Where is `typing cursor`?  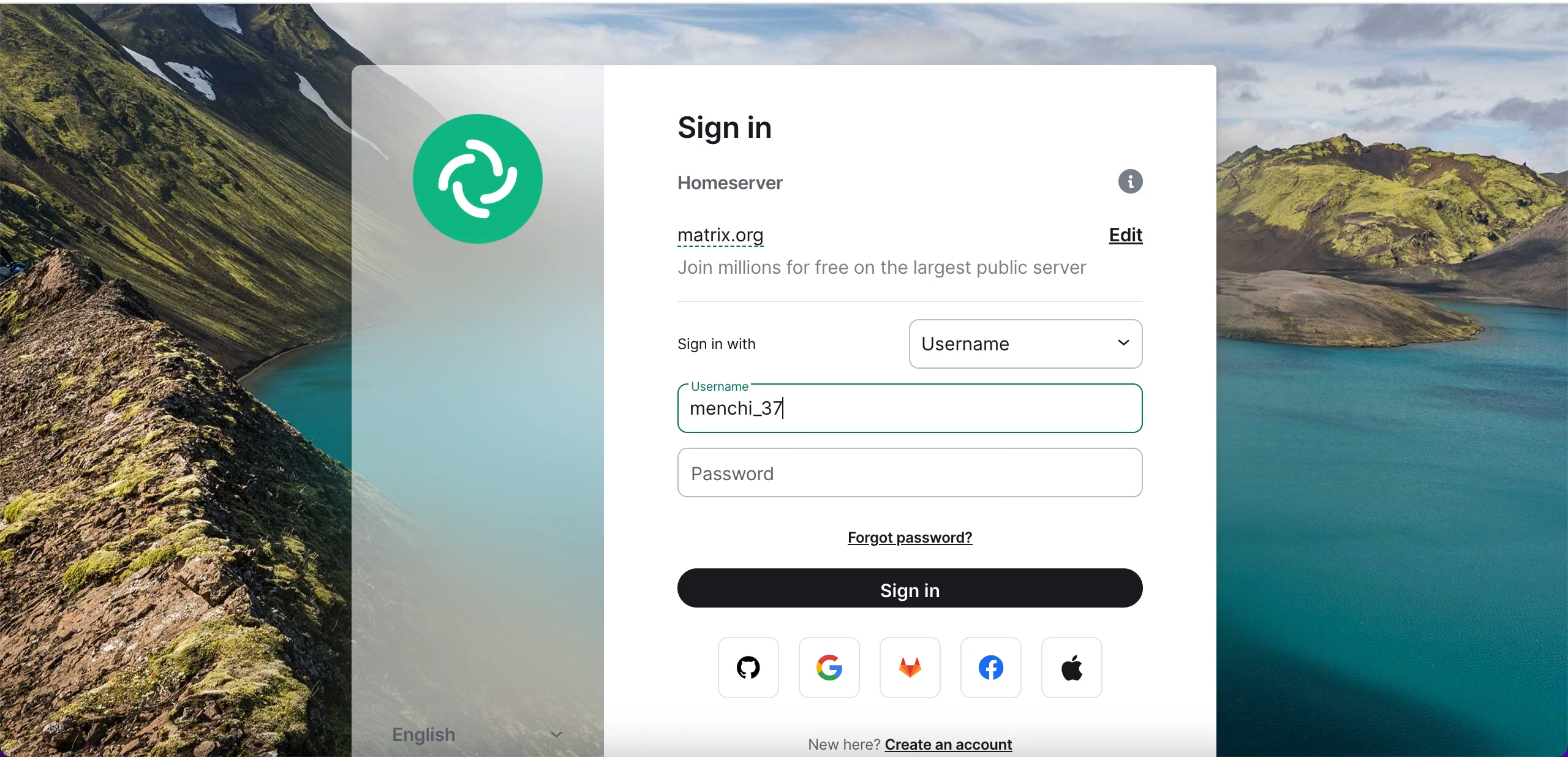
typing cursor is located at coordinates (788, 404).